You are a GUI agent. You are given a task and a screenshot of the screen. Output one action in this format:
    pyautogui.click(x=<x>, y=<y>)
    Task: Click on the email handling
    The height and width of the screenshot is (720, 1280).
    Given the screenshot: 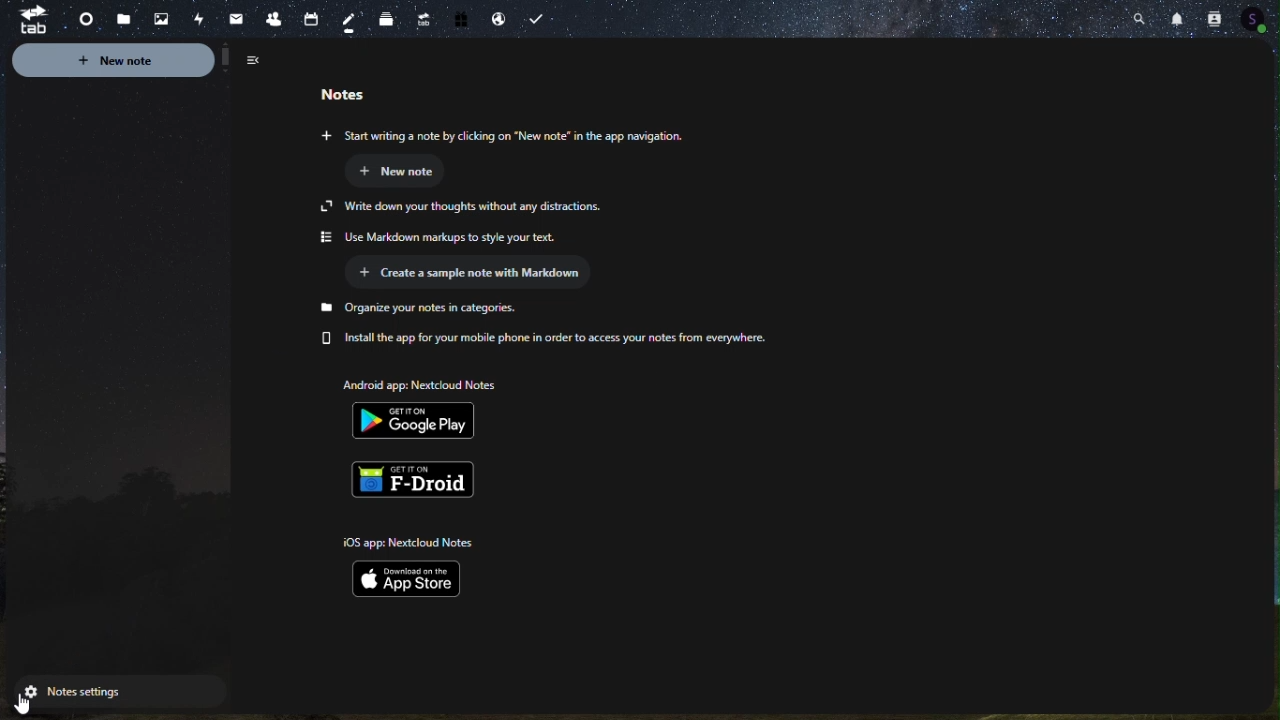 What is the action you would take?
    pyautogui.click(x=494, y=17)
    